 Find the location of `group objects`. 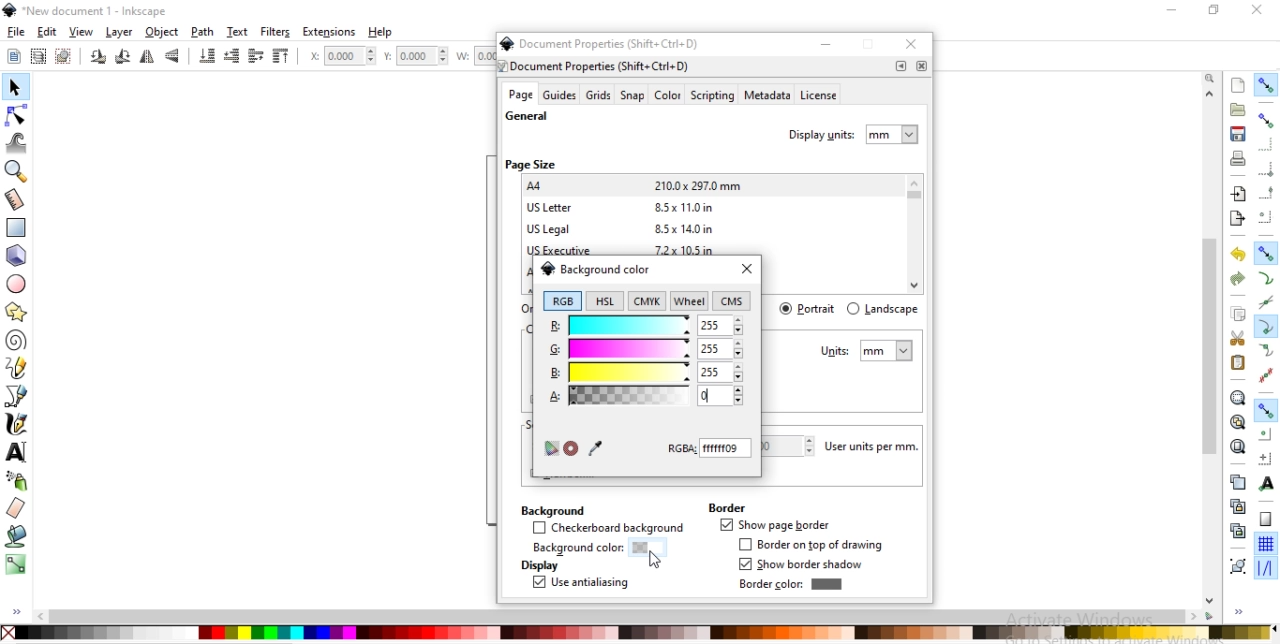

group objects is located at coordinates (1236, 566).